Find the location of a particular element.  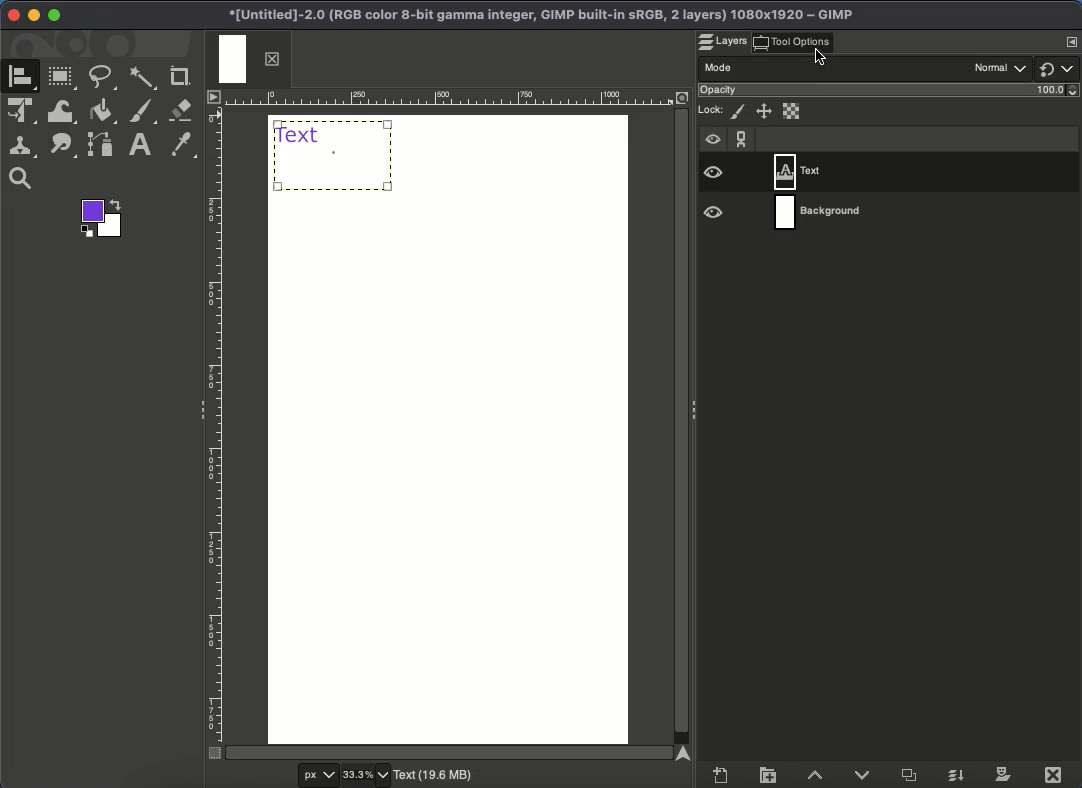

Layers is located at coordinates (724, 42).